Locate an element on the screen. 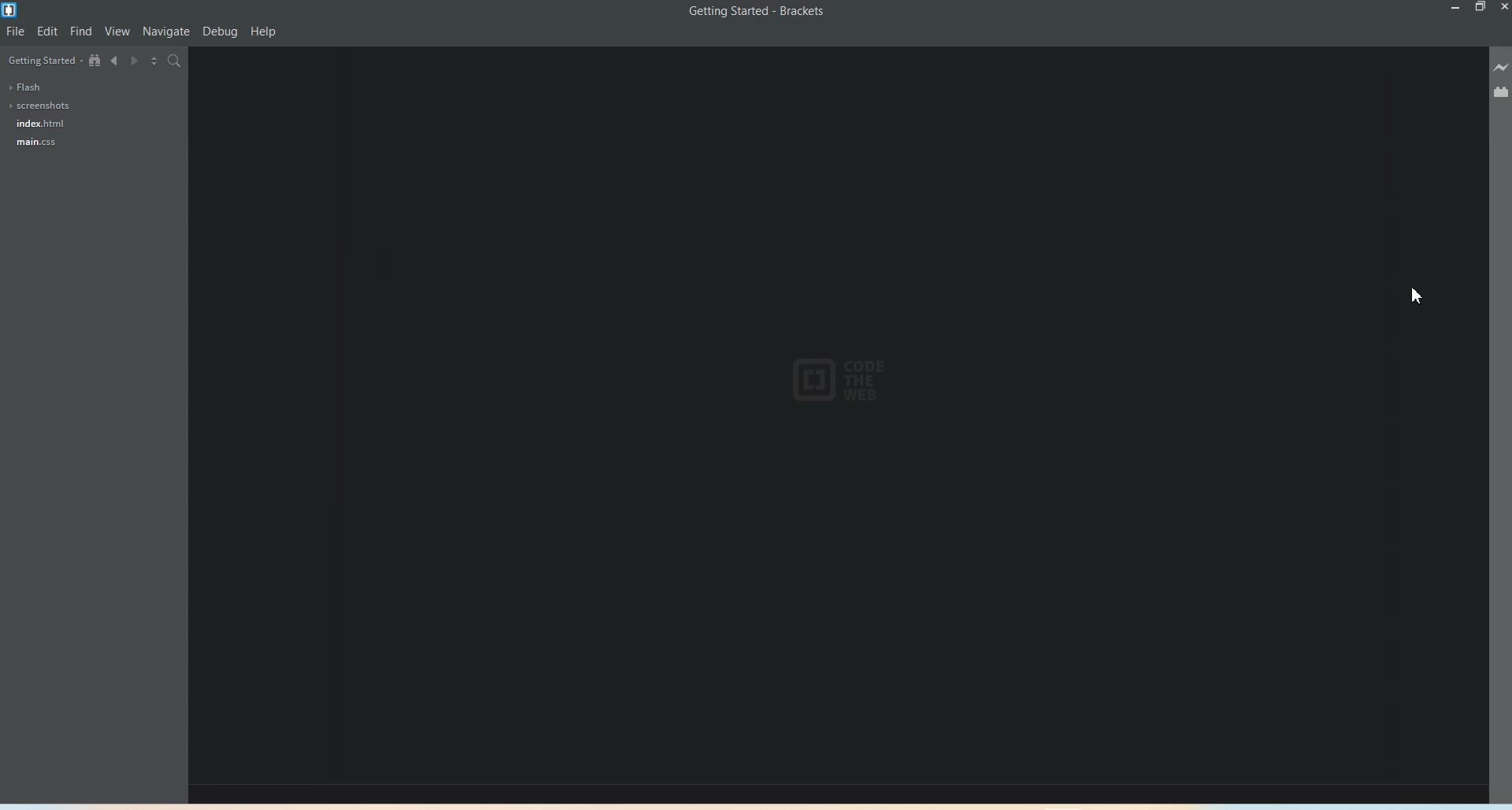 The width and height of the screenshot is (1512, 810). View is located at coordinates (117, 32).